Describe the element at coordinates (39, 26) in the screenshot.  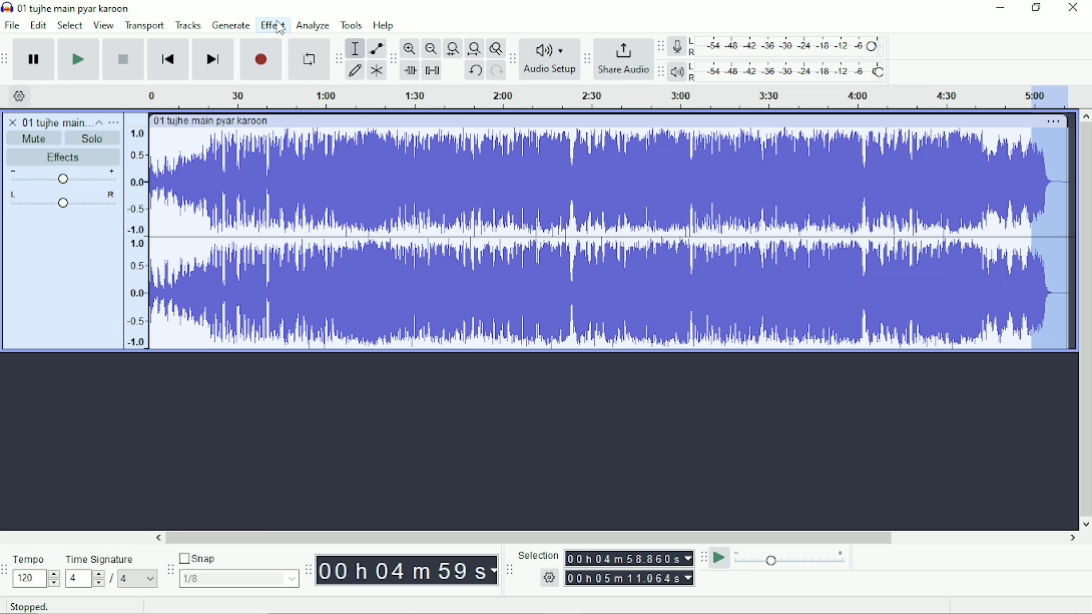
I see `Edit` at that location.